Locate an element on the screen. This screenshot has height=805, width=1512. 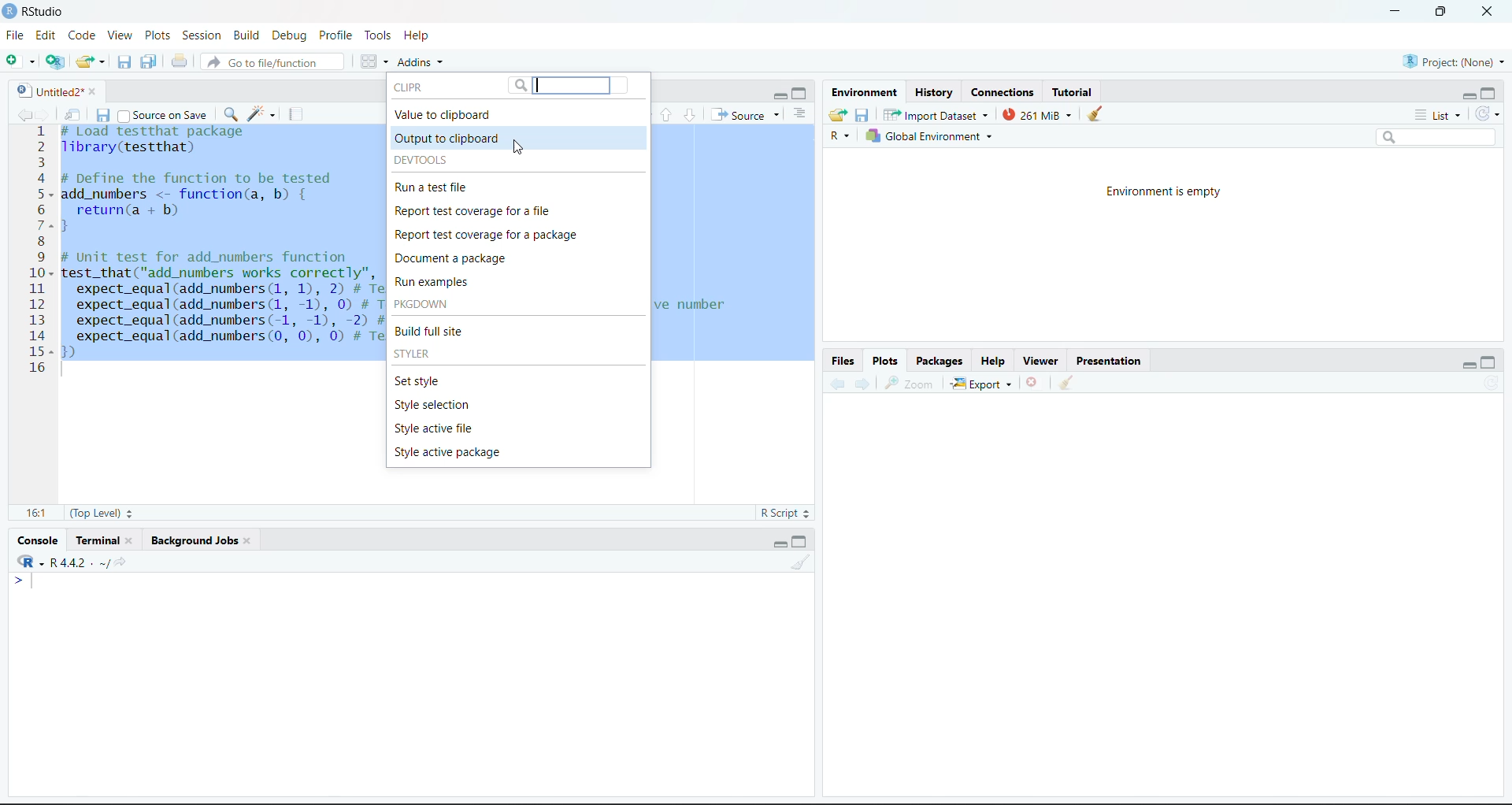
Load workspace is located at coordinates (839, 114).